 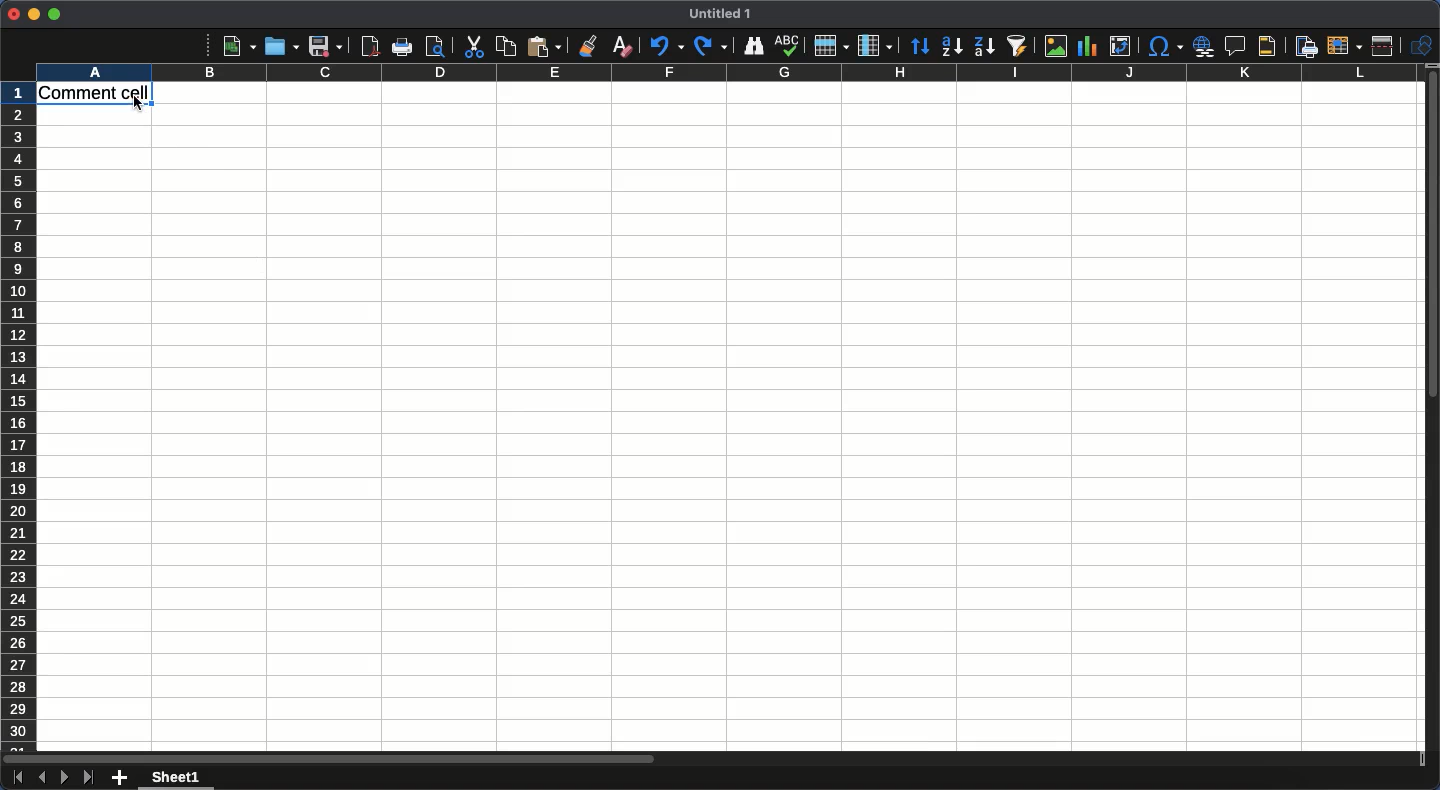 What do you see at coordinates (544, 45) in the screenshot?
I see `Paste` at bounding box center [544, 45].